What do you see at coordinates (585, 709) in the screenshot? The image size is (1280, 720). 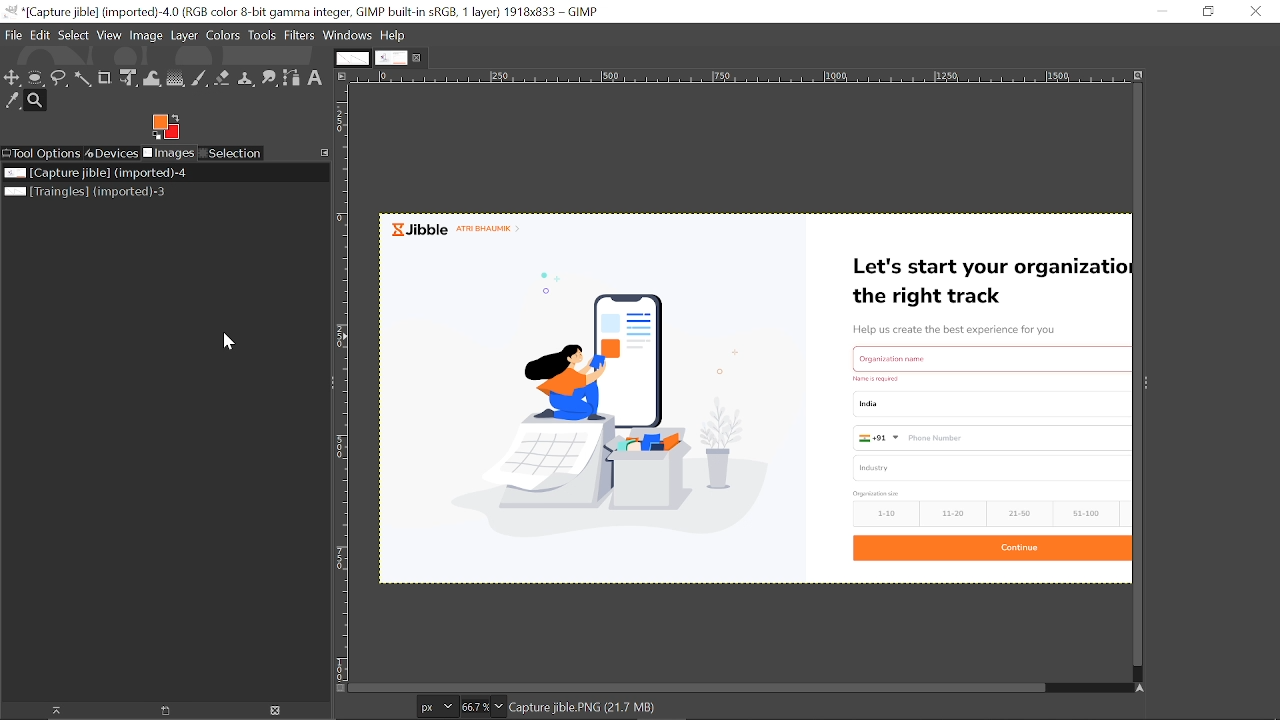 I see `Capture jible.png (21.7 mb)` at bounding box center [585, 709].